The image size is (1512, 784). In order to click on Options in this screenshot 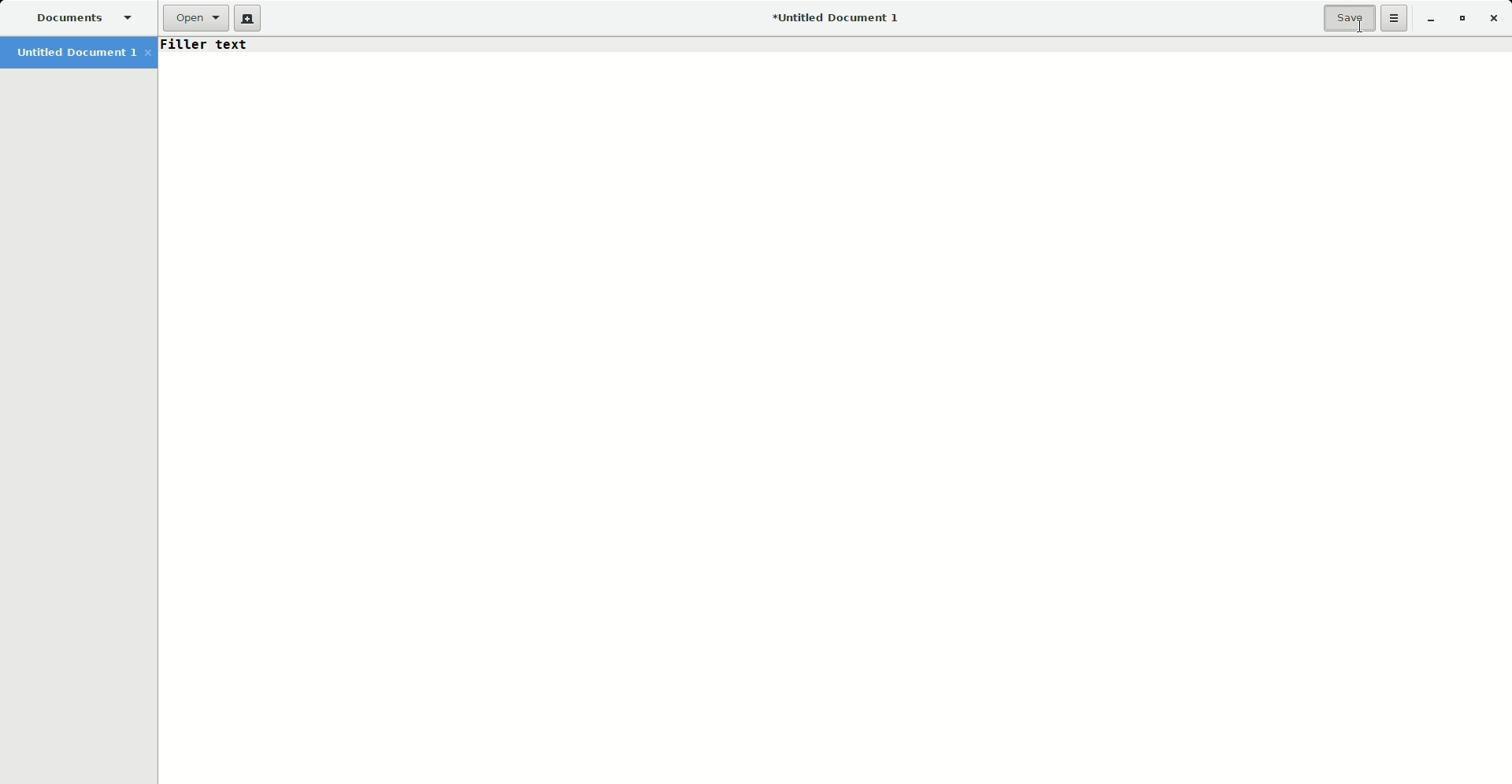, I will do `click(1395, 19)`.